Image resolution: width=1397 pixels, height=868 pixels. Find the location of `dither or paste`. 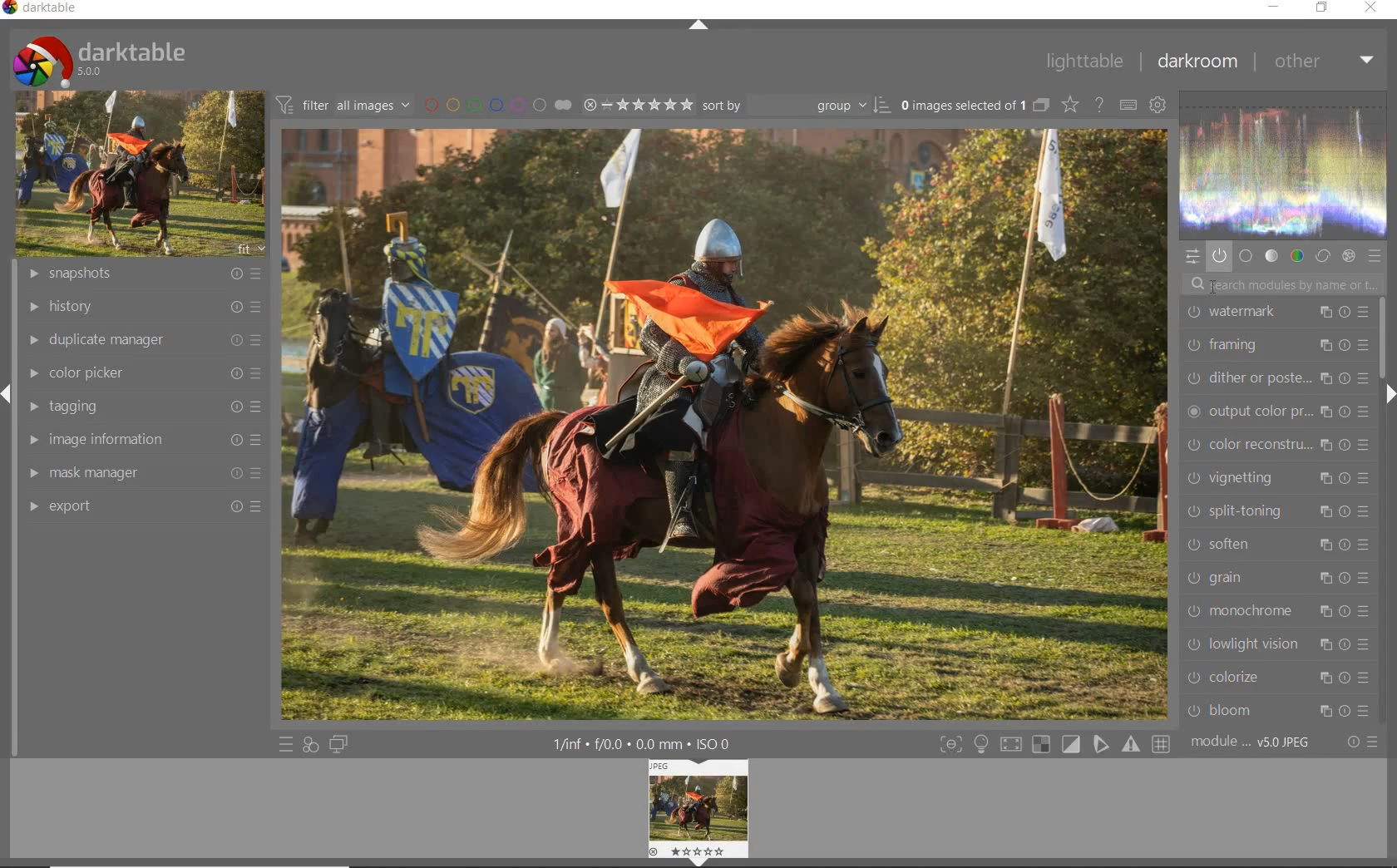

dither or paste is located at coordinates (1274, 379).